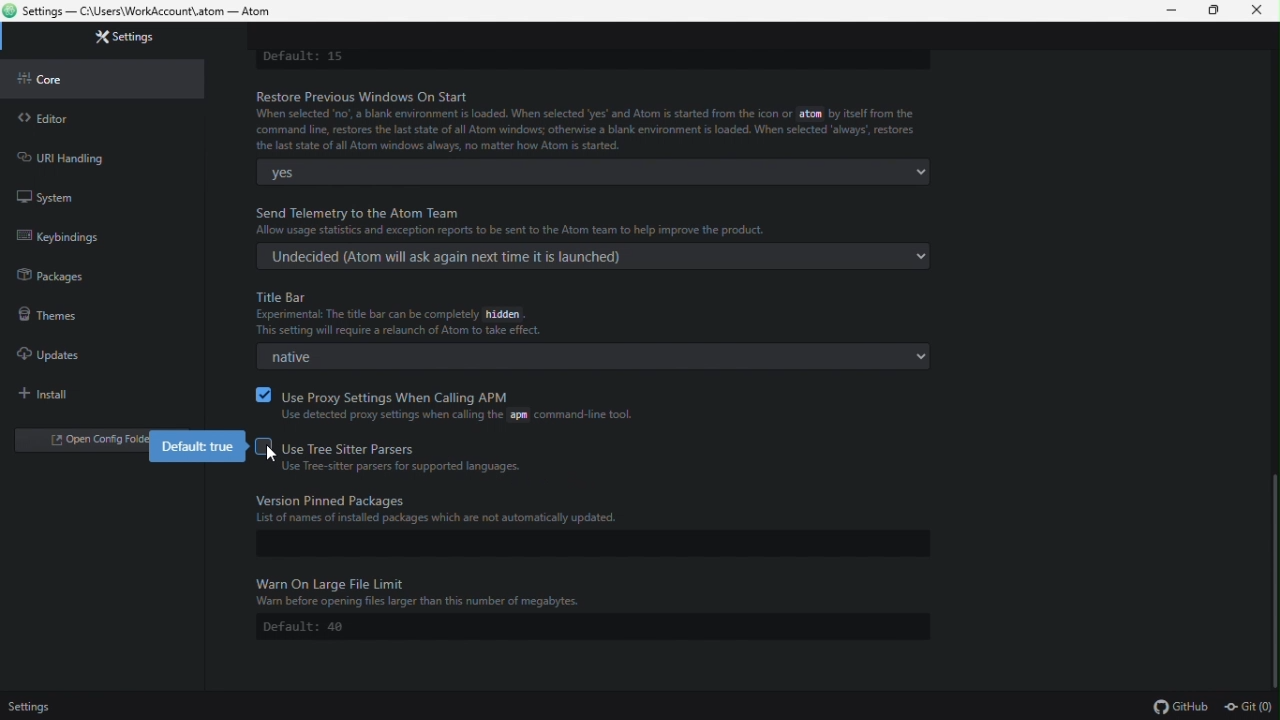 The height and width of the screenshot is (720, 1280). I want to click on scroll bar, so click(1273, 575).